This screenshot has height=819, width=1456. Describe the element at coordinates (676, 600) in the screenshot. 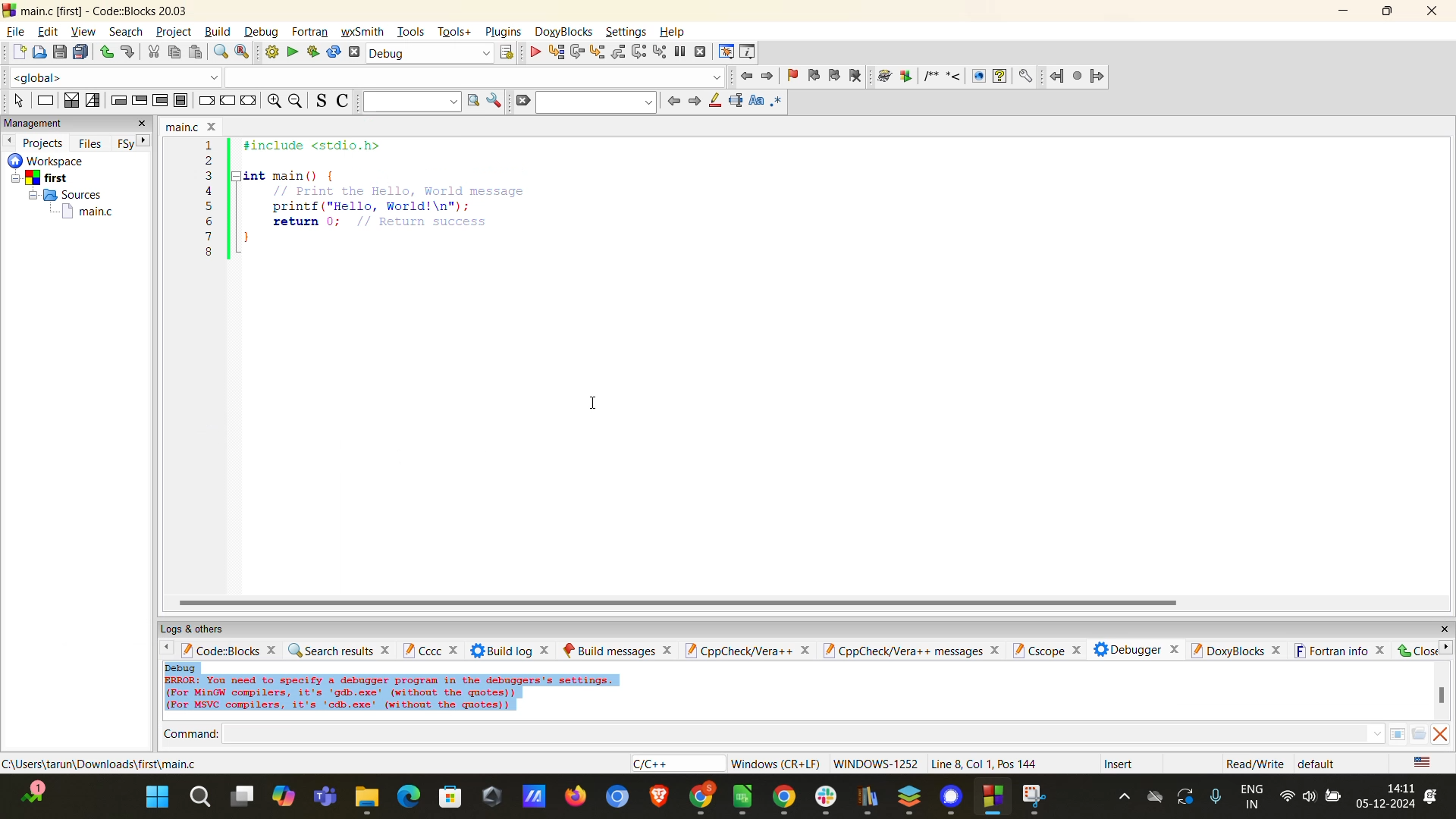

I see `horizontal scroll bar` at that location.